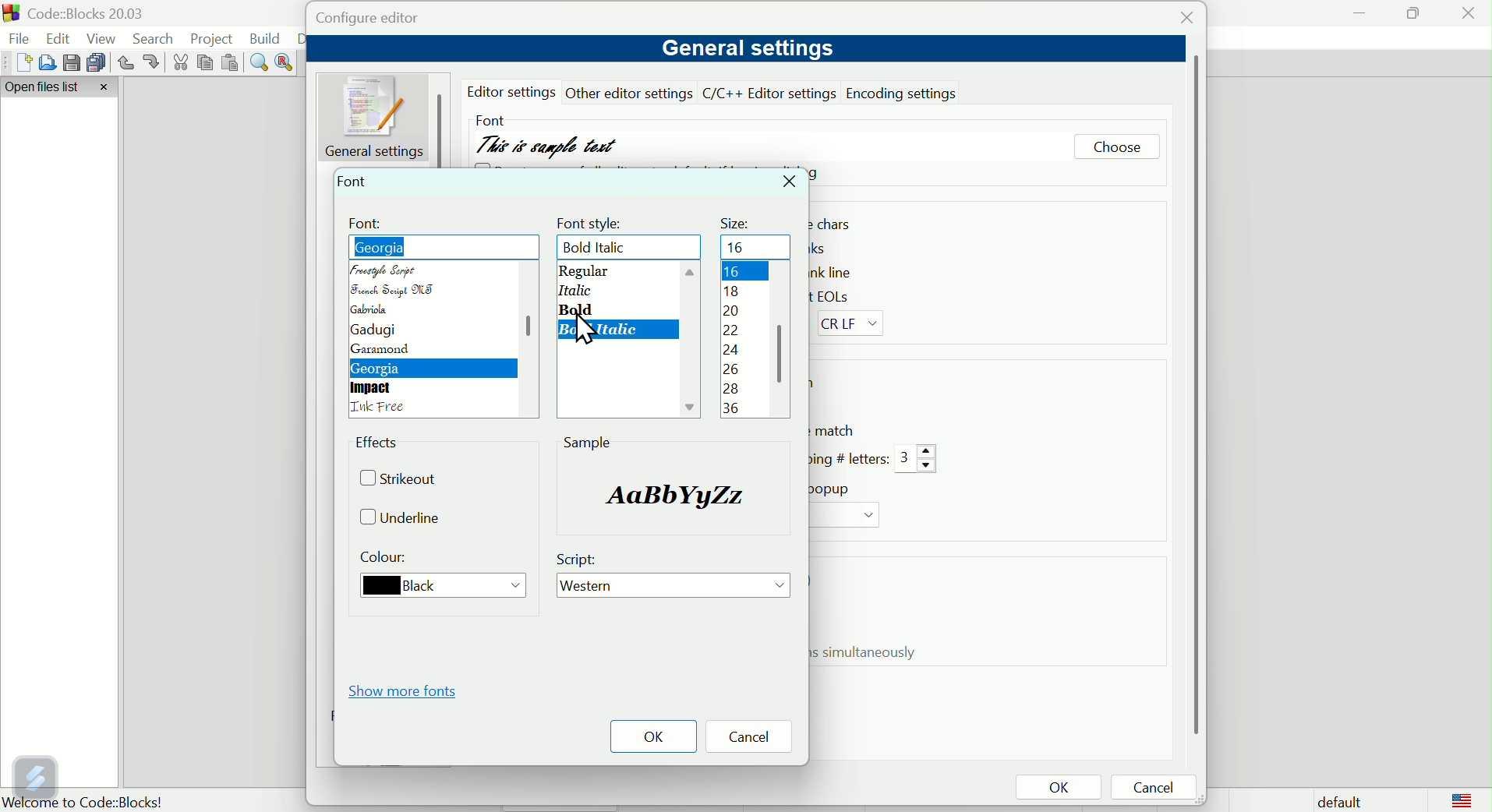 This screenshot has width=1492, height=812. What do you see at coordinates (653, 736) in the screenshot?
I see `OK` at bounding box center [653, 736].